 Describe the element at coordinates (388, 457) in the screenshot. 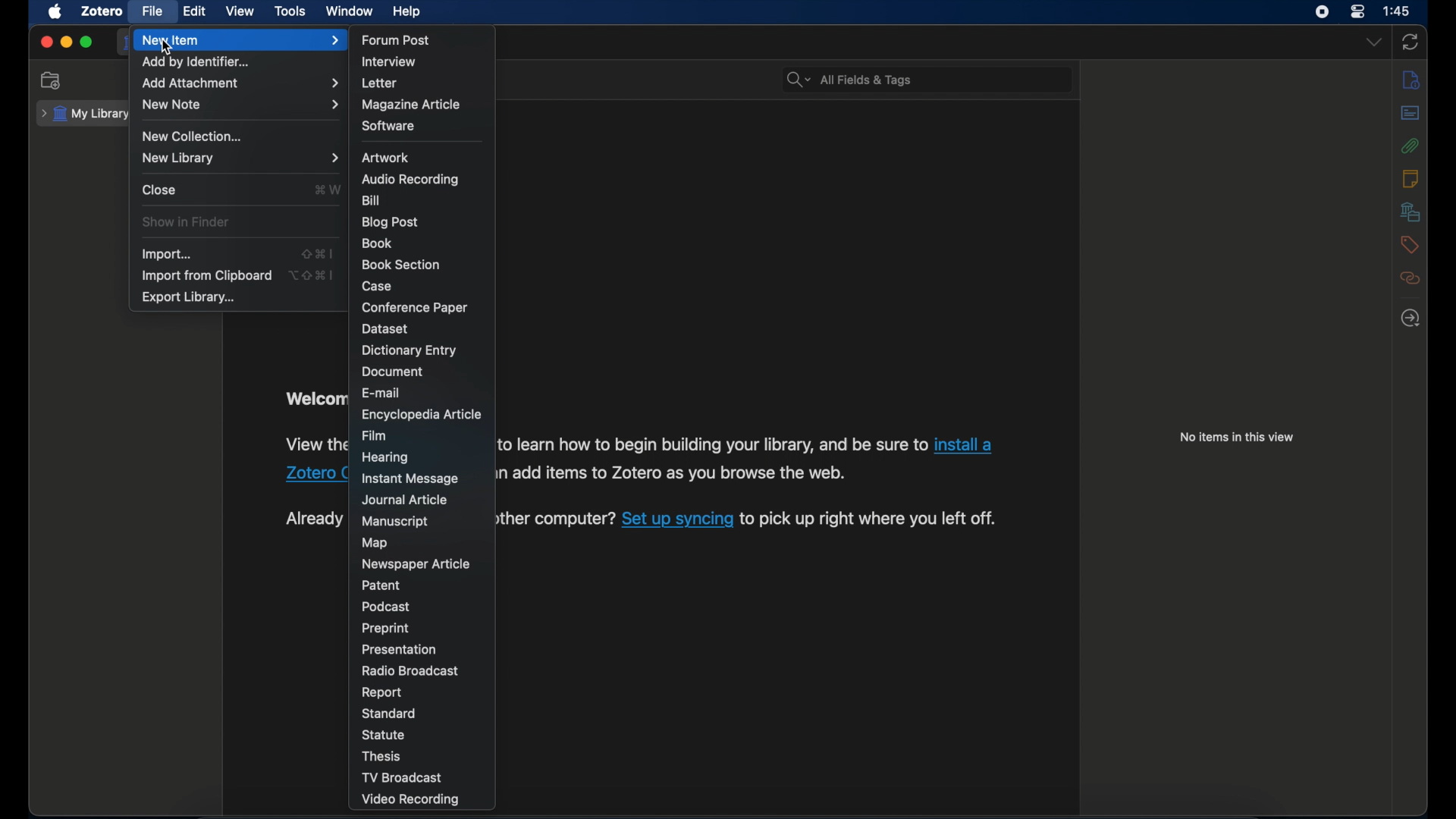

I see `hearing` at that location.